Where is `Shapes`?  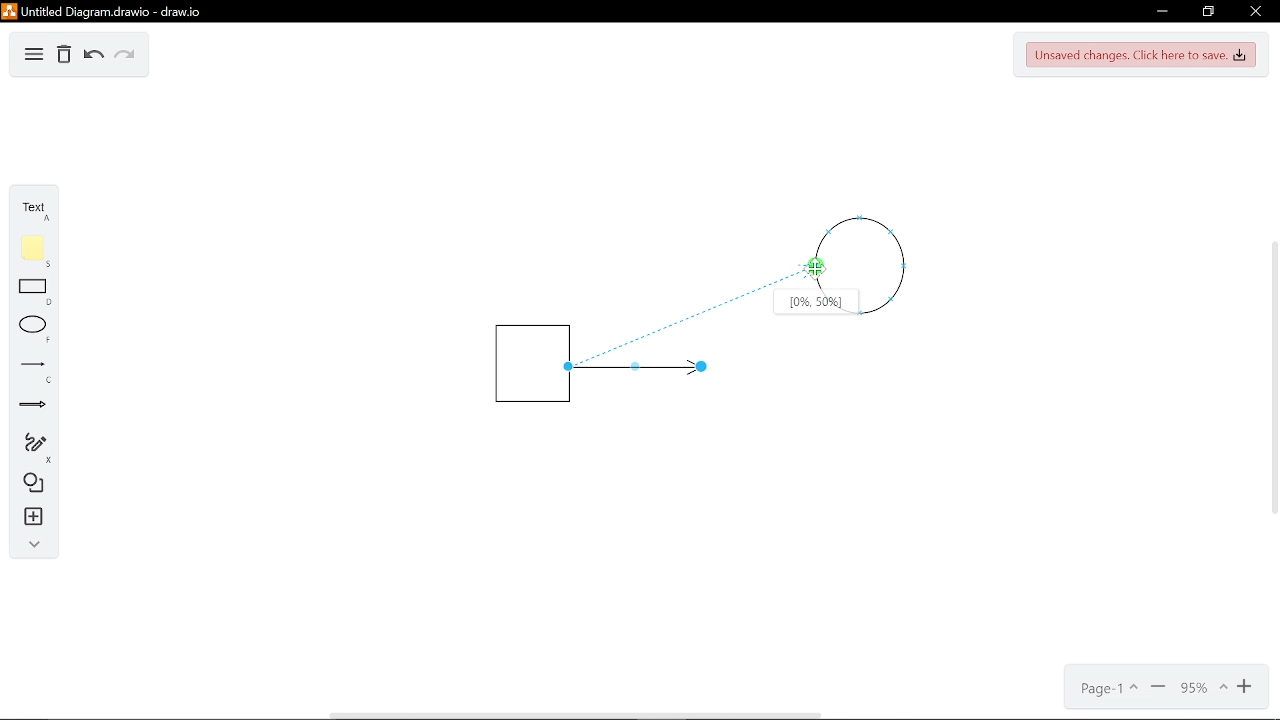
Shapes is located at coordinates (26, 483).